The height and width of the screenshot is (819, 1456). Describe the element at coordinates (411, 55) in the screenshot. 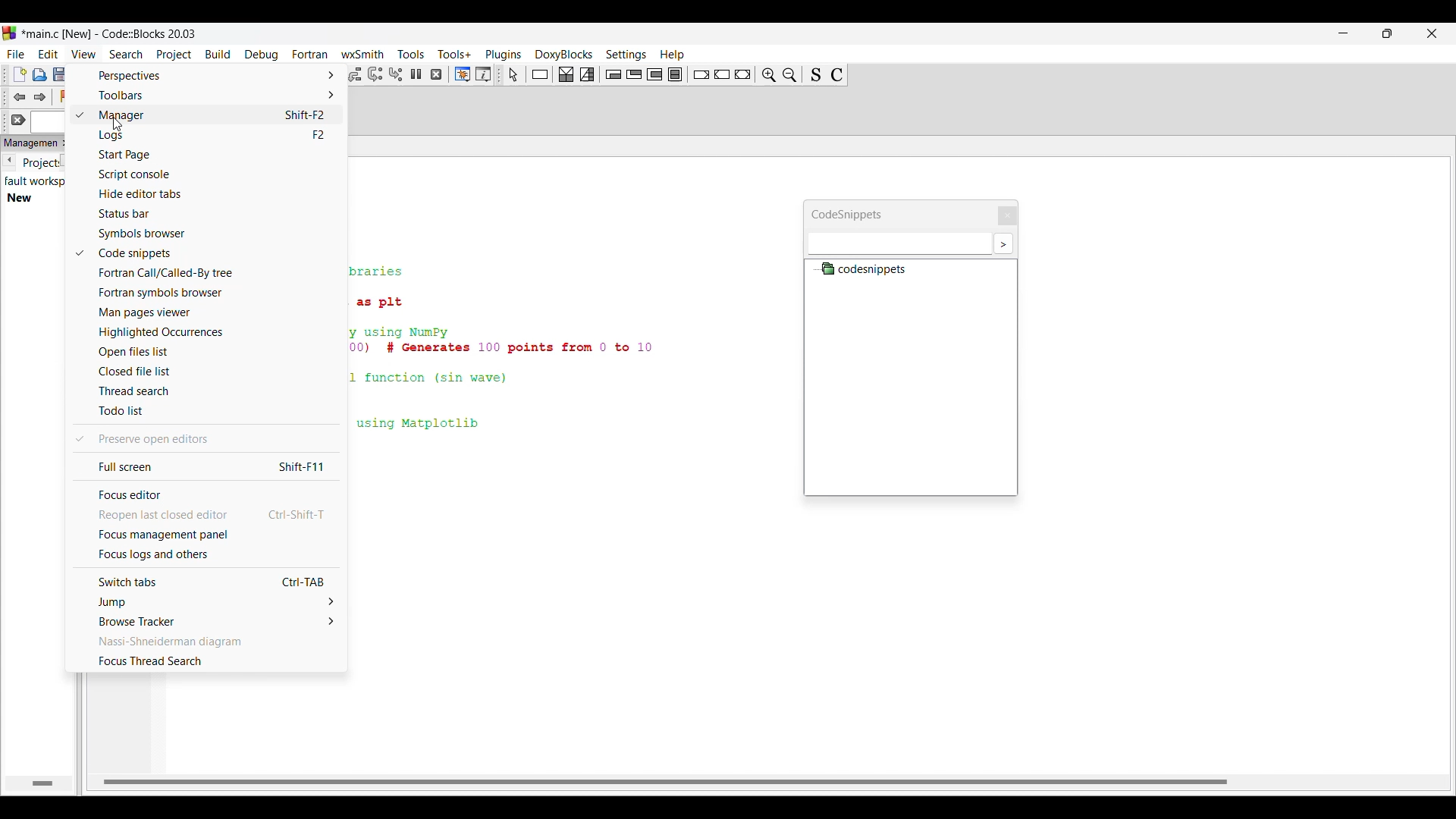

I see `Tools menu` at that location.